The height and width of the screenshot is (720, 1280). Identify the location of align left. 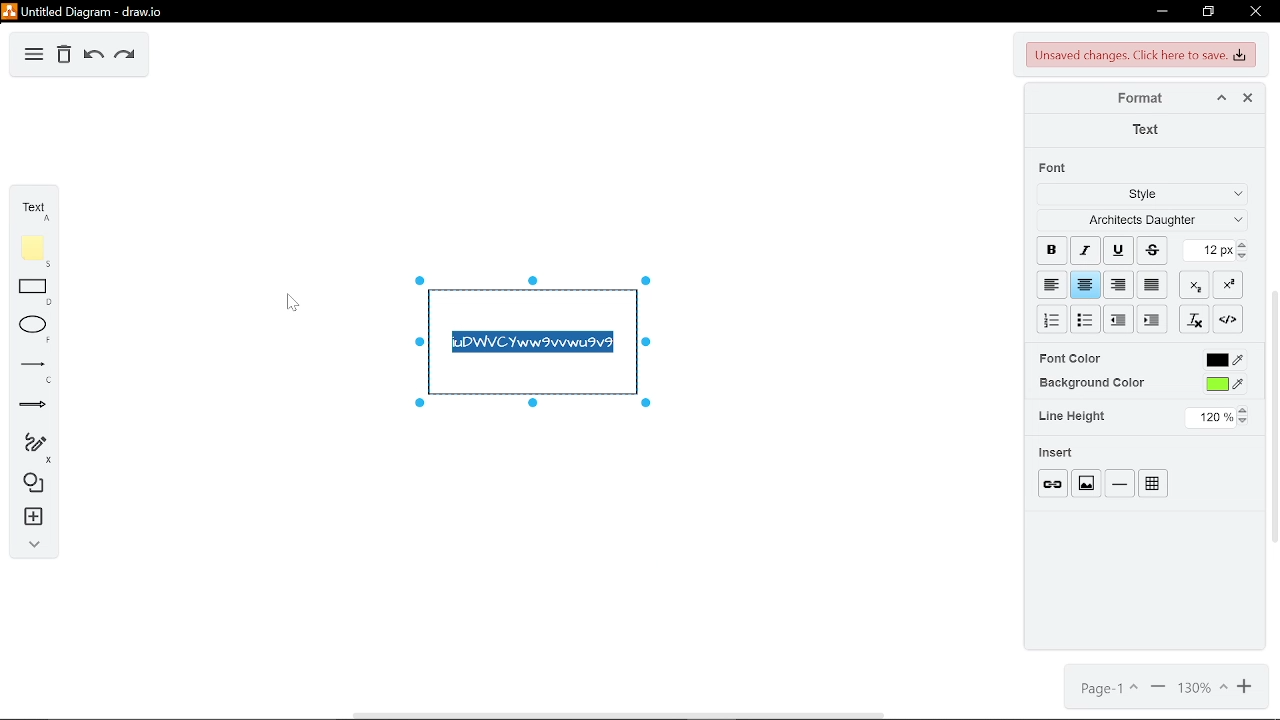
(1051, 283).